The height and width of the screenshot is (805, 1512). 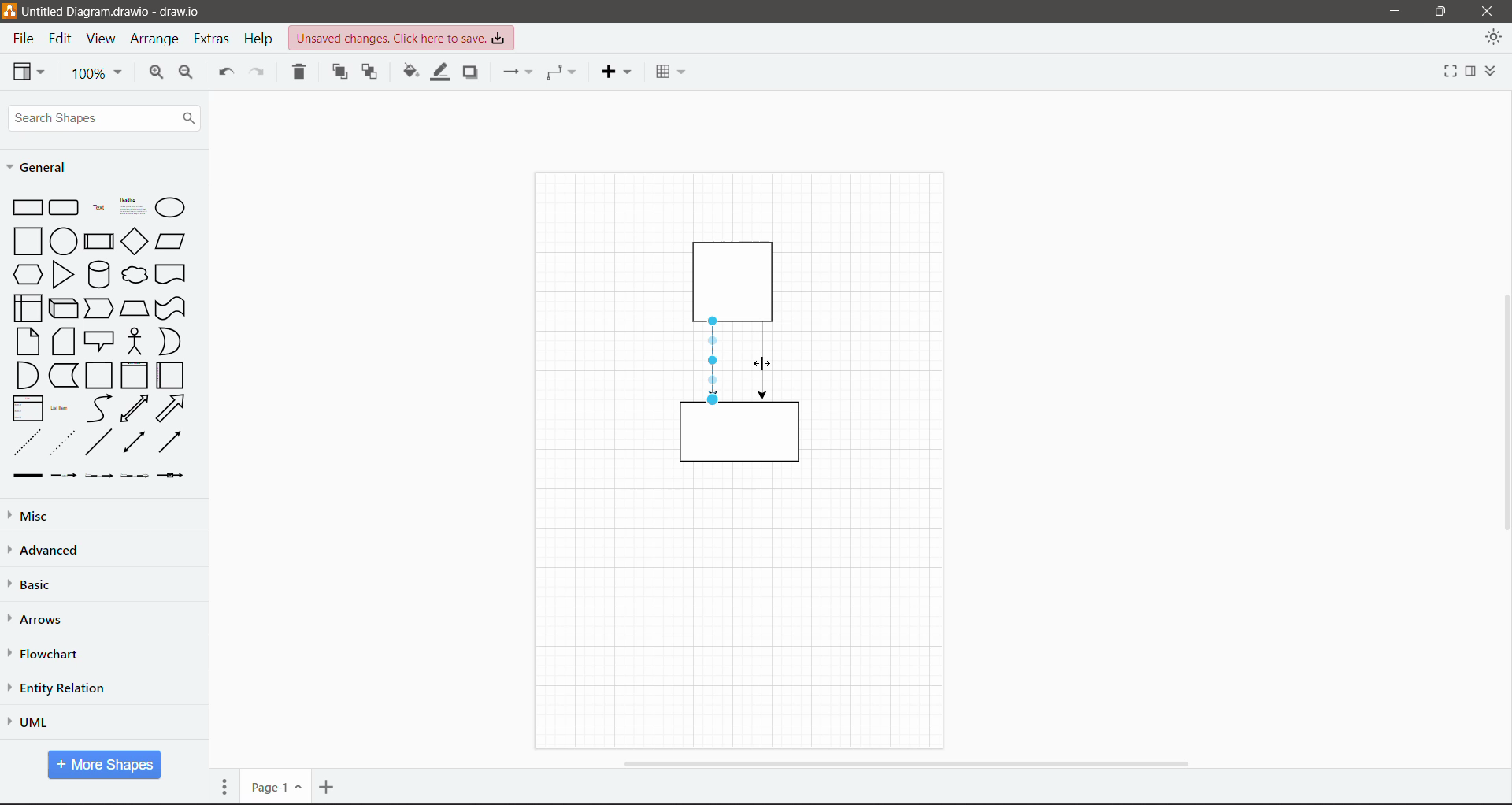 What do you see at coordinates (100, 376) in the screenshot?
I see `Container` at bounding box center [100, 376].